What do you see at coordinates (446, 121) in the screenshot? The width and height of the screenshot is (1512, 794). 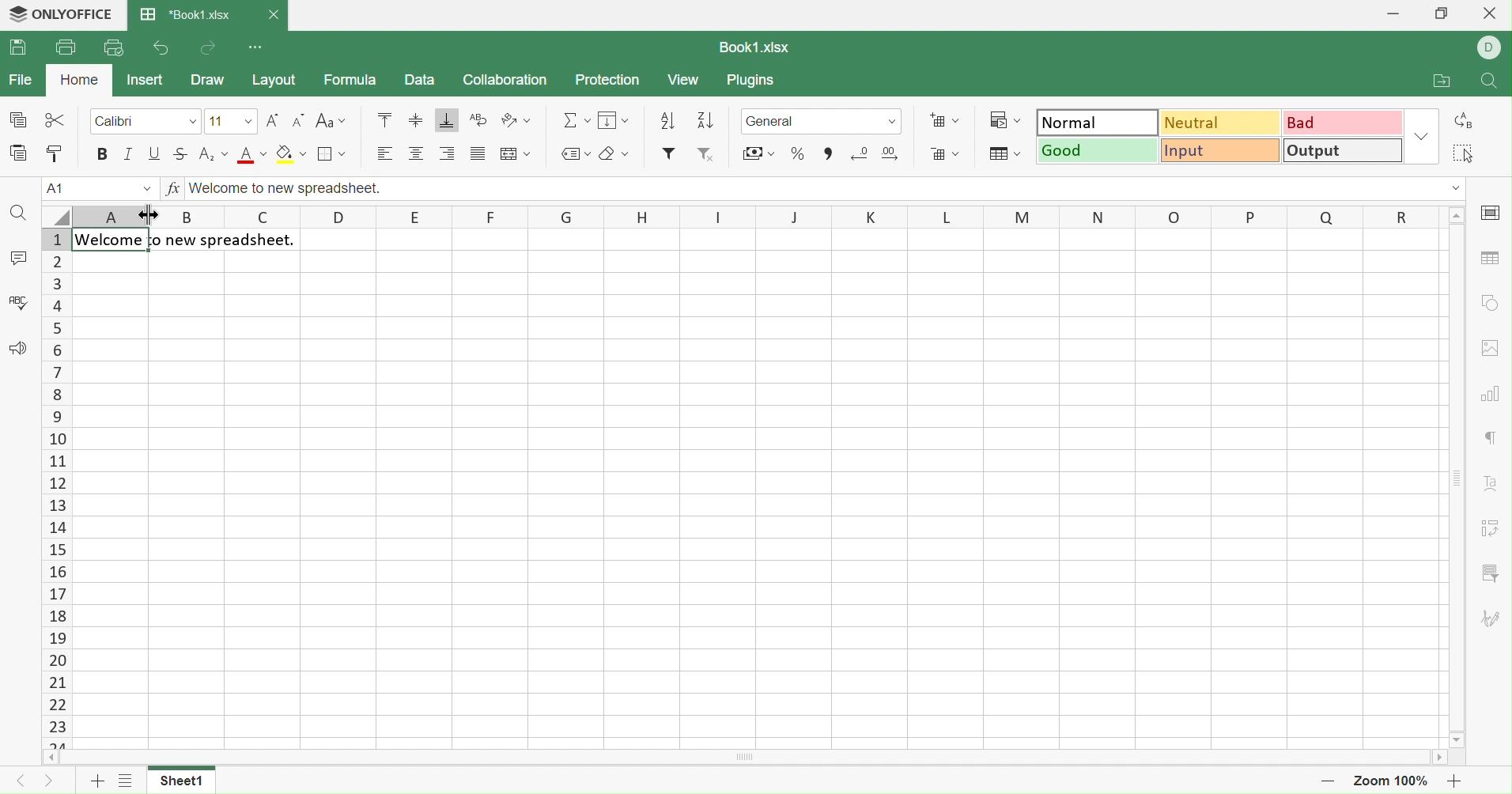 I see `Align Bottom` at bounding box center [446, 121].